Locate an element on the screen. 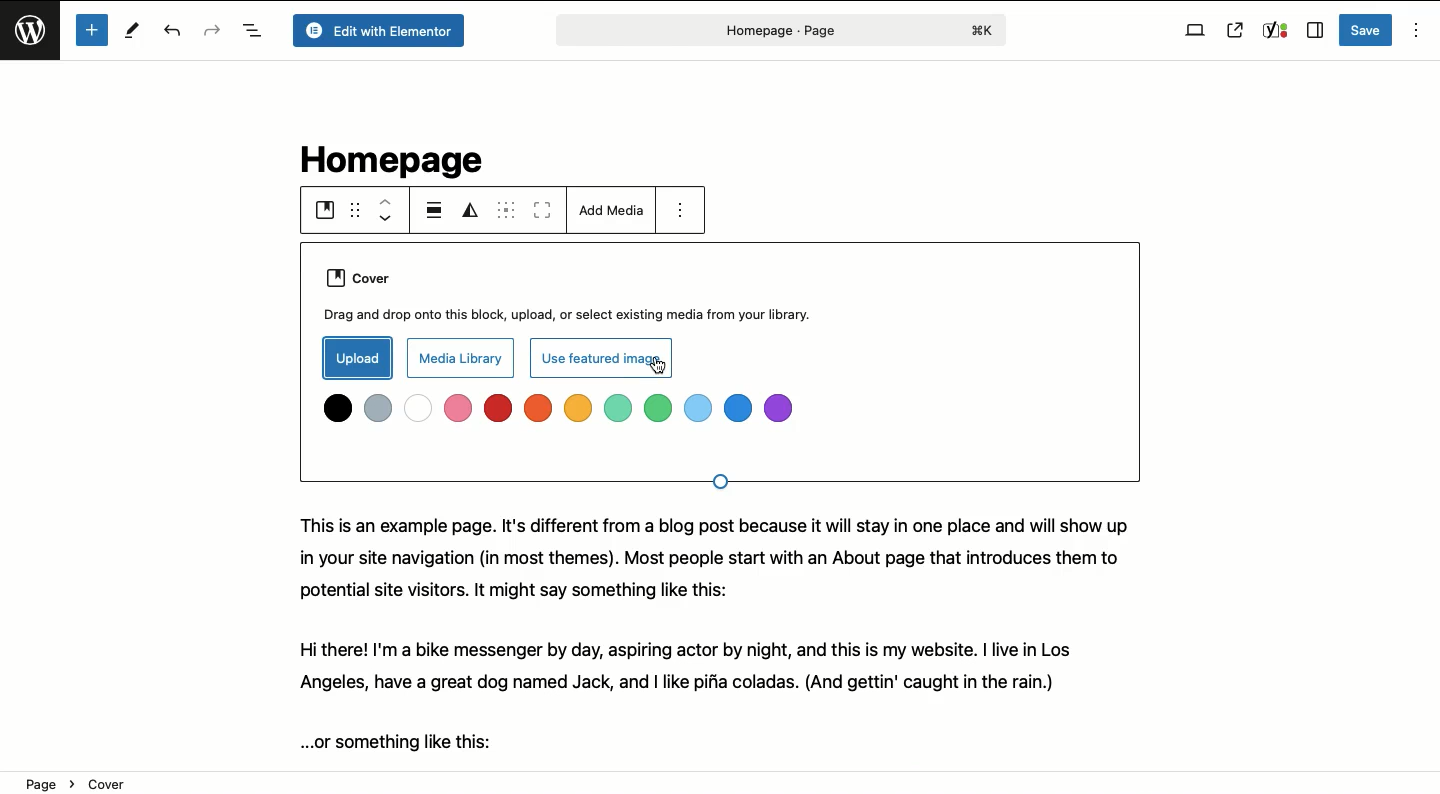  Hi there! I'm a bike messenger by day, aspiring actor by night, and this is my website. | live in Los
Angeles, have a great dog named Jack, and | like pifia coladas. (And gettin' caught in the rain.) is located at coordinates (665, 668).